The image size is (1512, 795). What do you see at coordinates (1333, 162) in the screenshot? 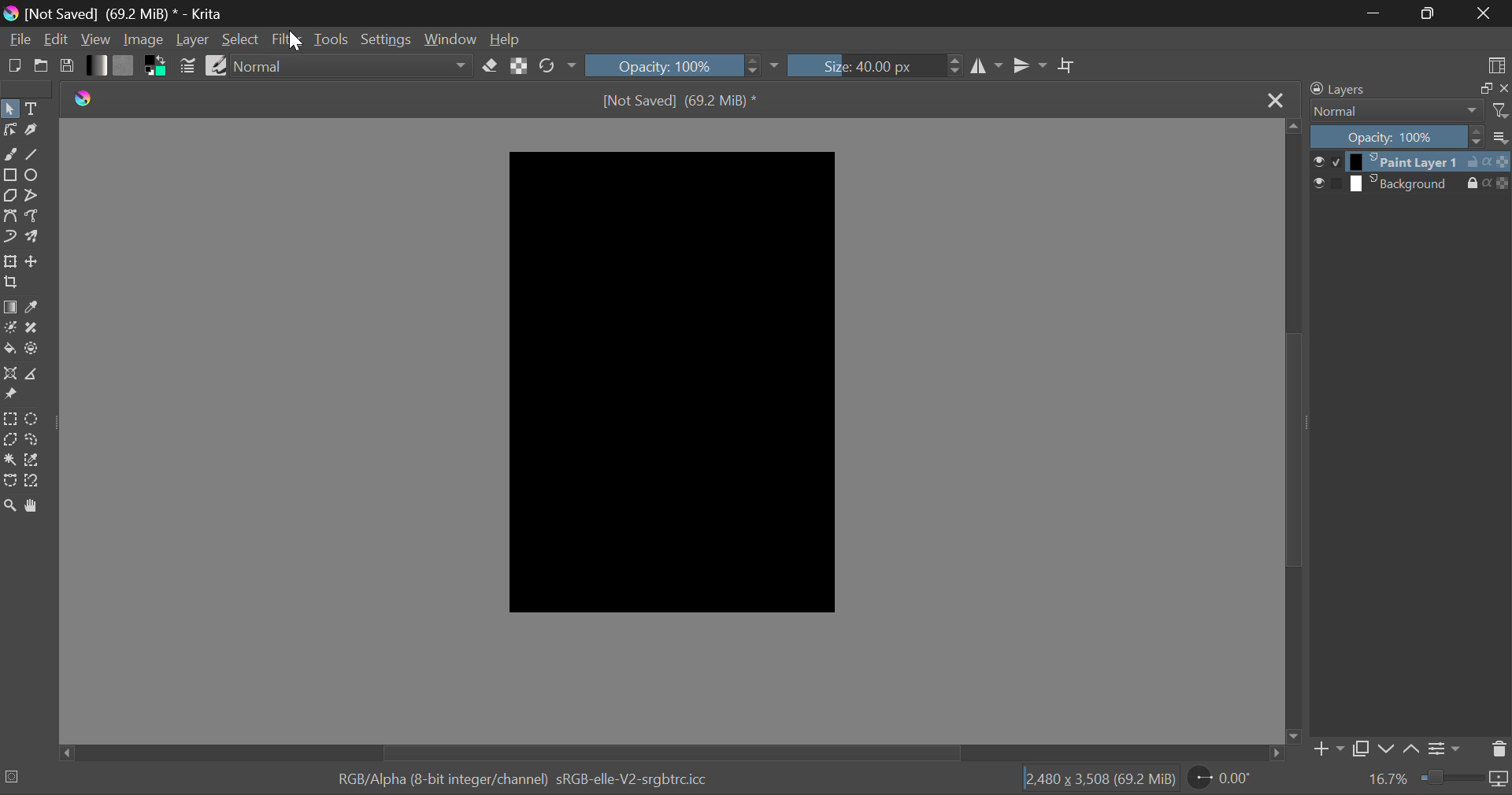
I see `checkbox` at bounding box center [1333, 162].